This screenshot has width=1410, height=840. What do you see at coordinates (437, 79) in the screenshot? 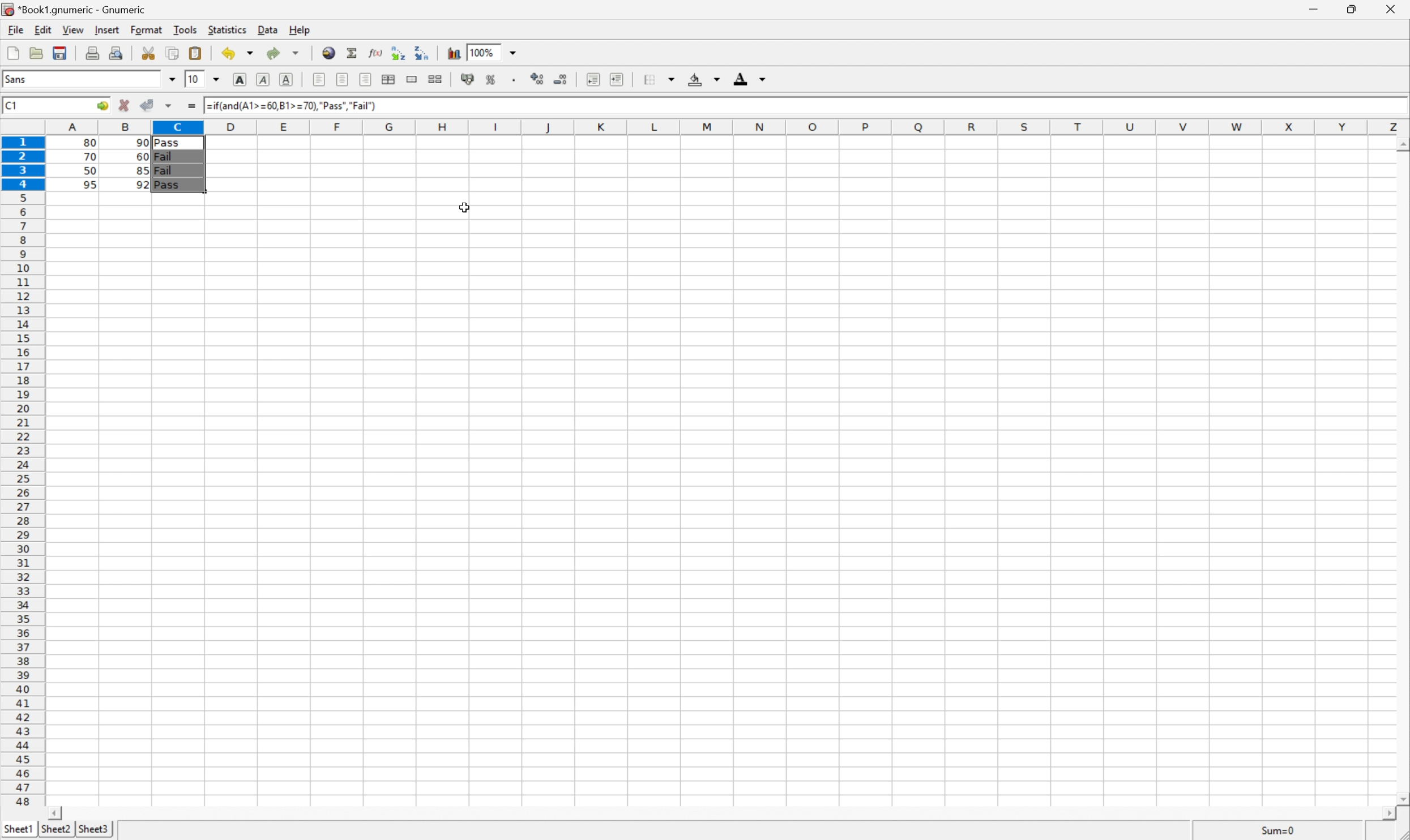
I see `Split merged ranges of cells` at bounding box center [437, 79].